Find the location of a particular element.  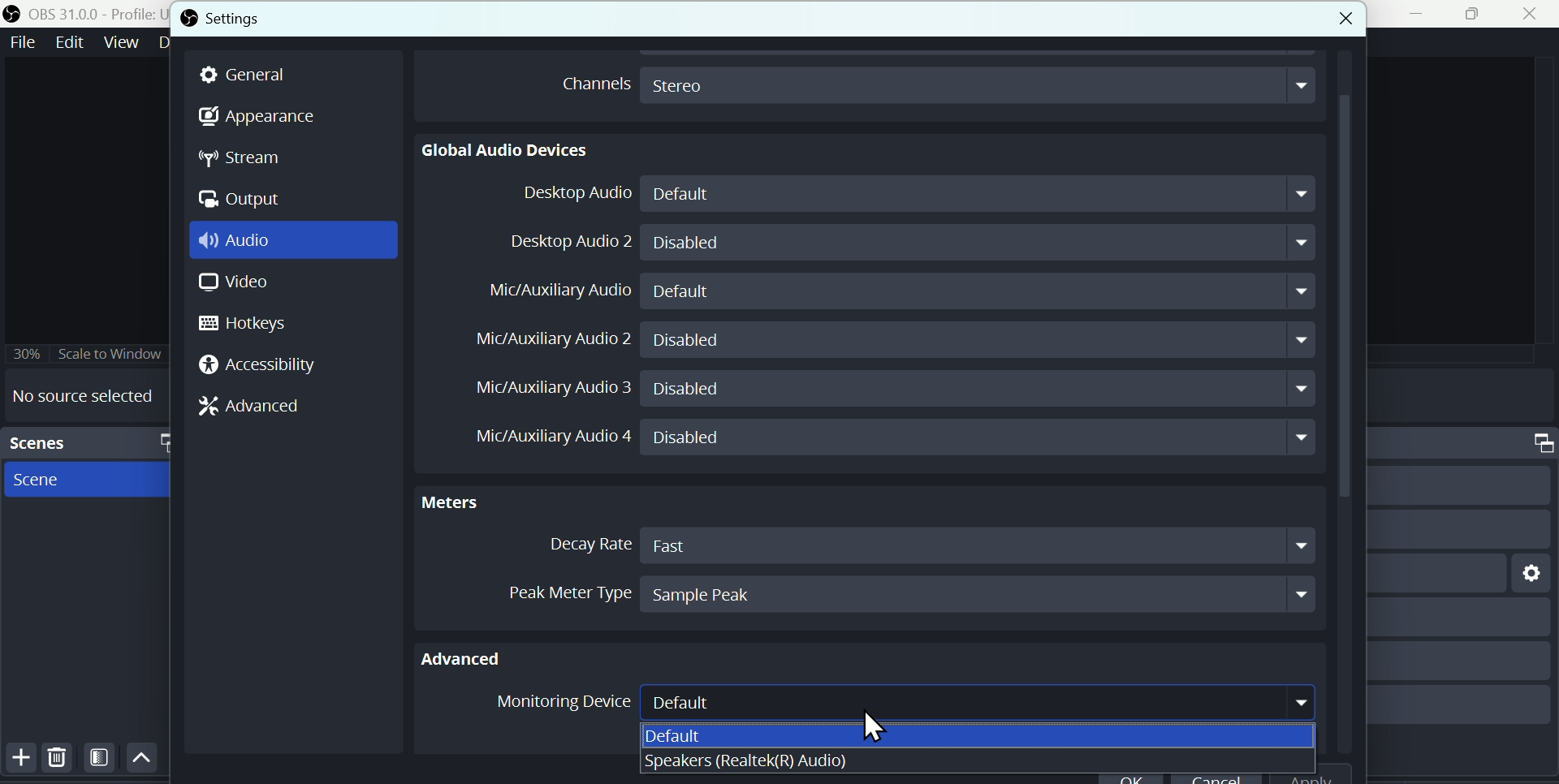

File is located at coordinates (22, 41).